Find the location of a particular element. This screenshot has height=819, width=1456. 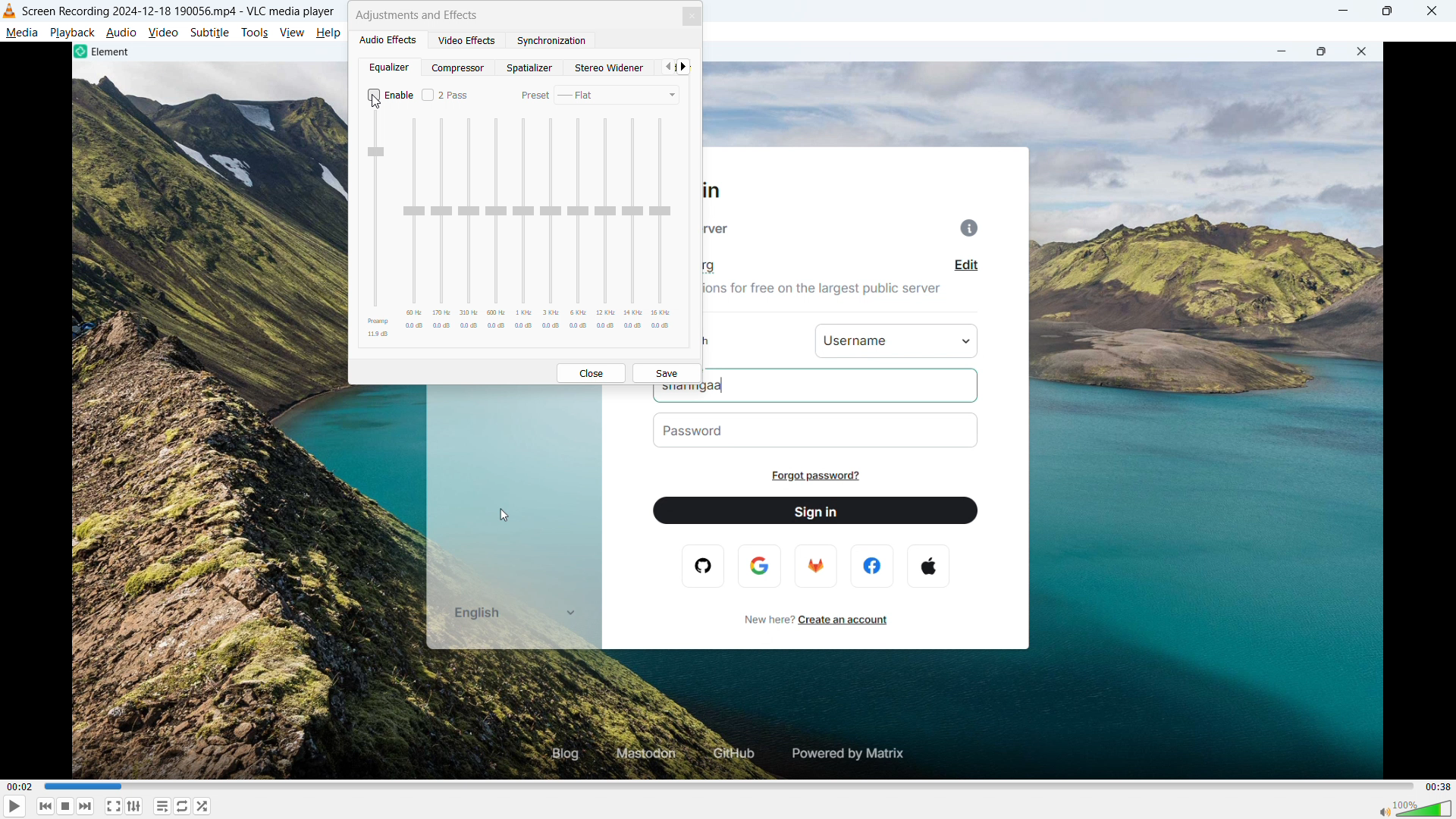

synchronization  is located at coordinates (552, 41).